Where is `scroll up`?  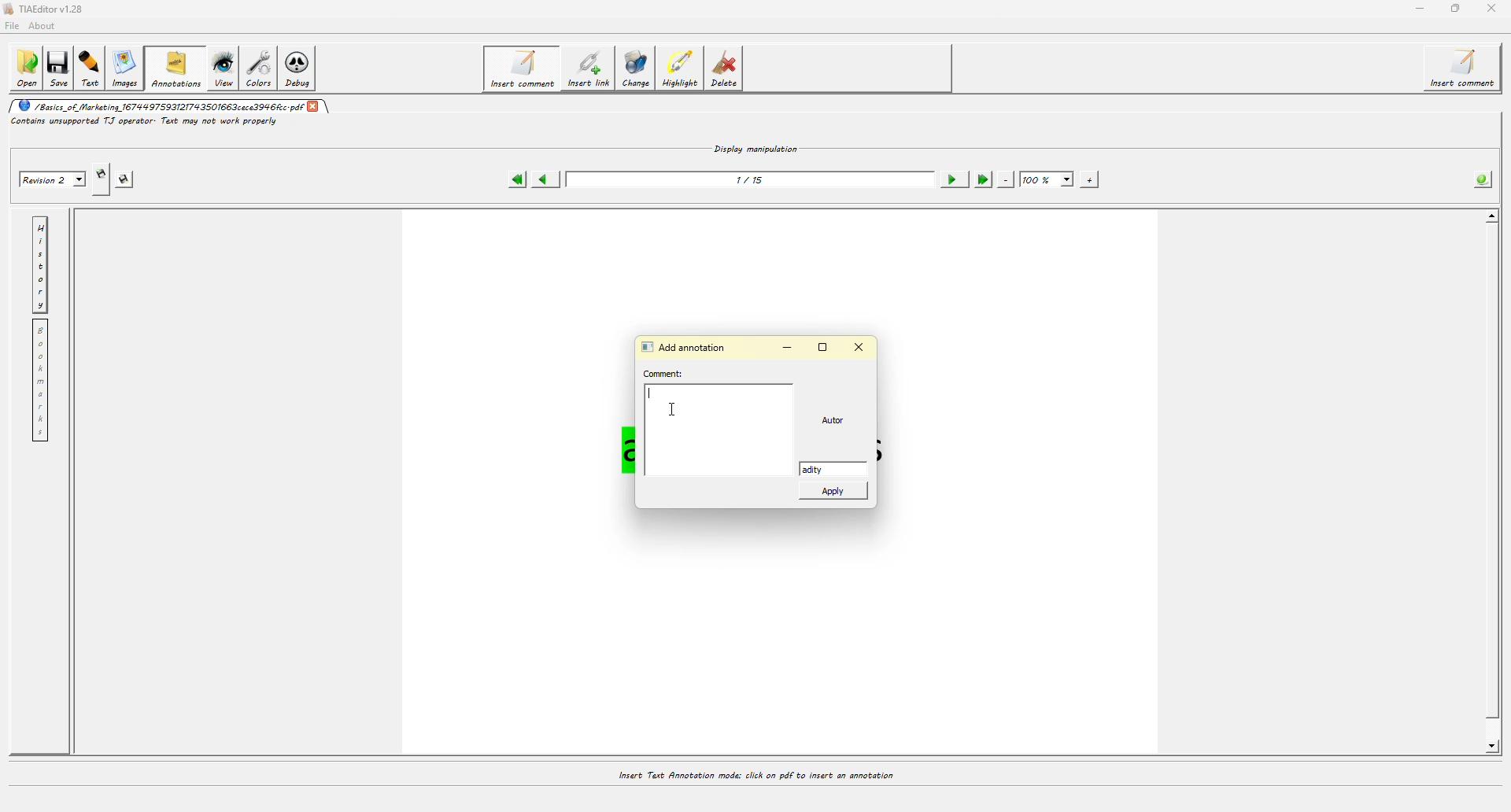 scroll up is located at coordinates (1489, 217).